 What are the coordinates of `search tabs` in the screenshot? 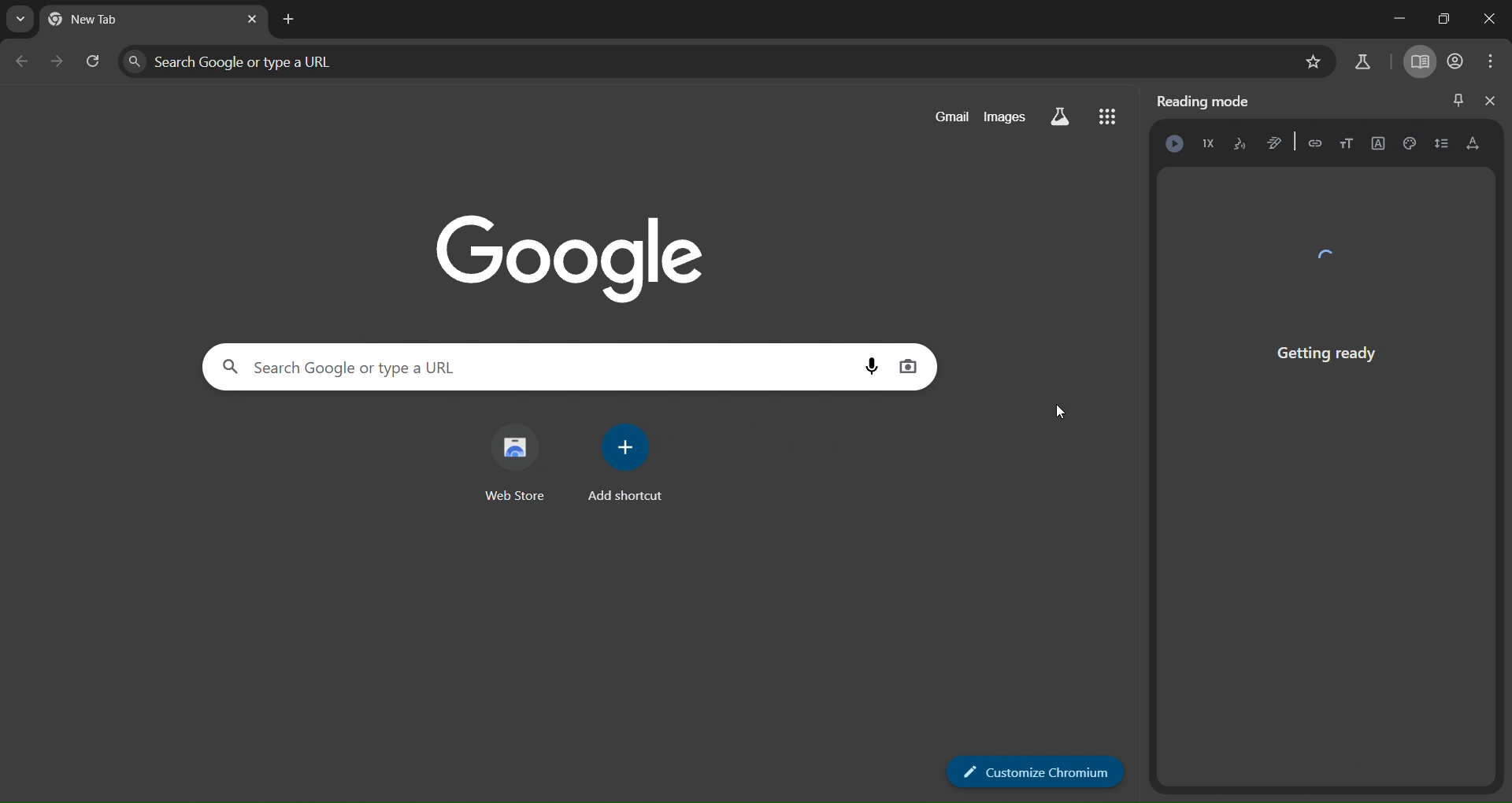 It's located at (22, 18).